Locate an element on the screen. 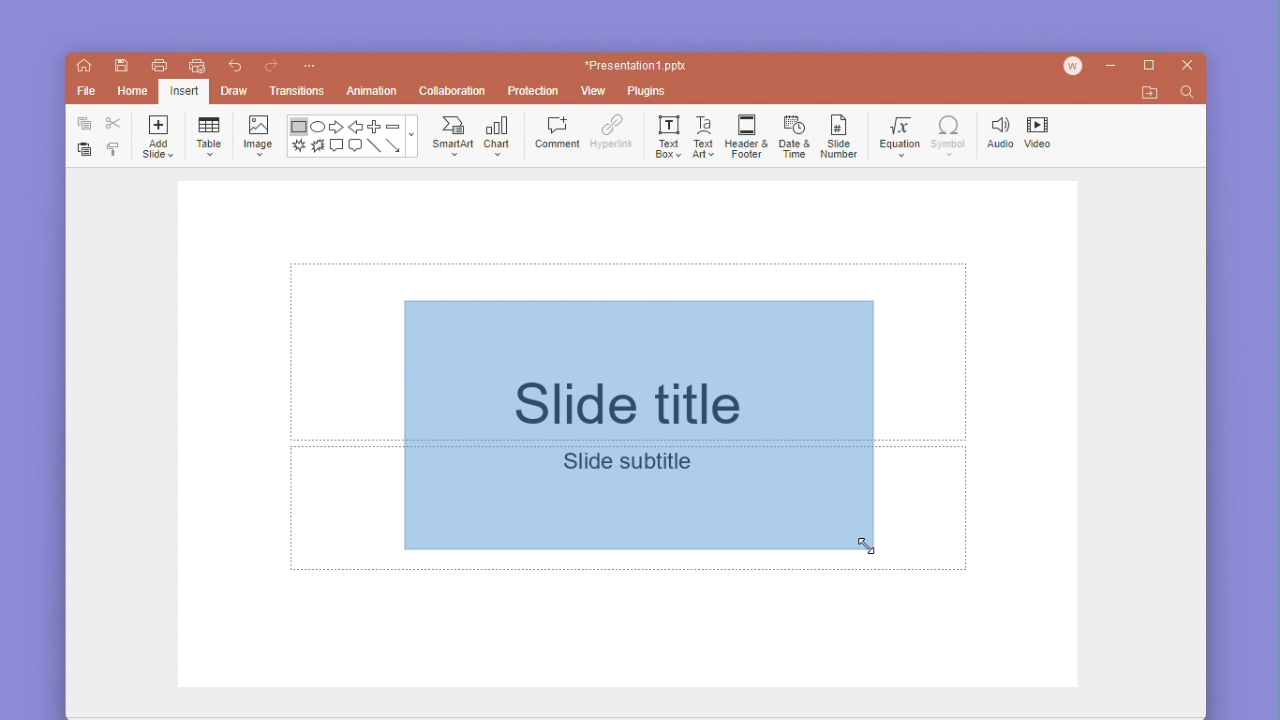 This screenshot has height=720, width=1280. ellipse is located at coordinates (318, 127).